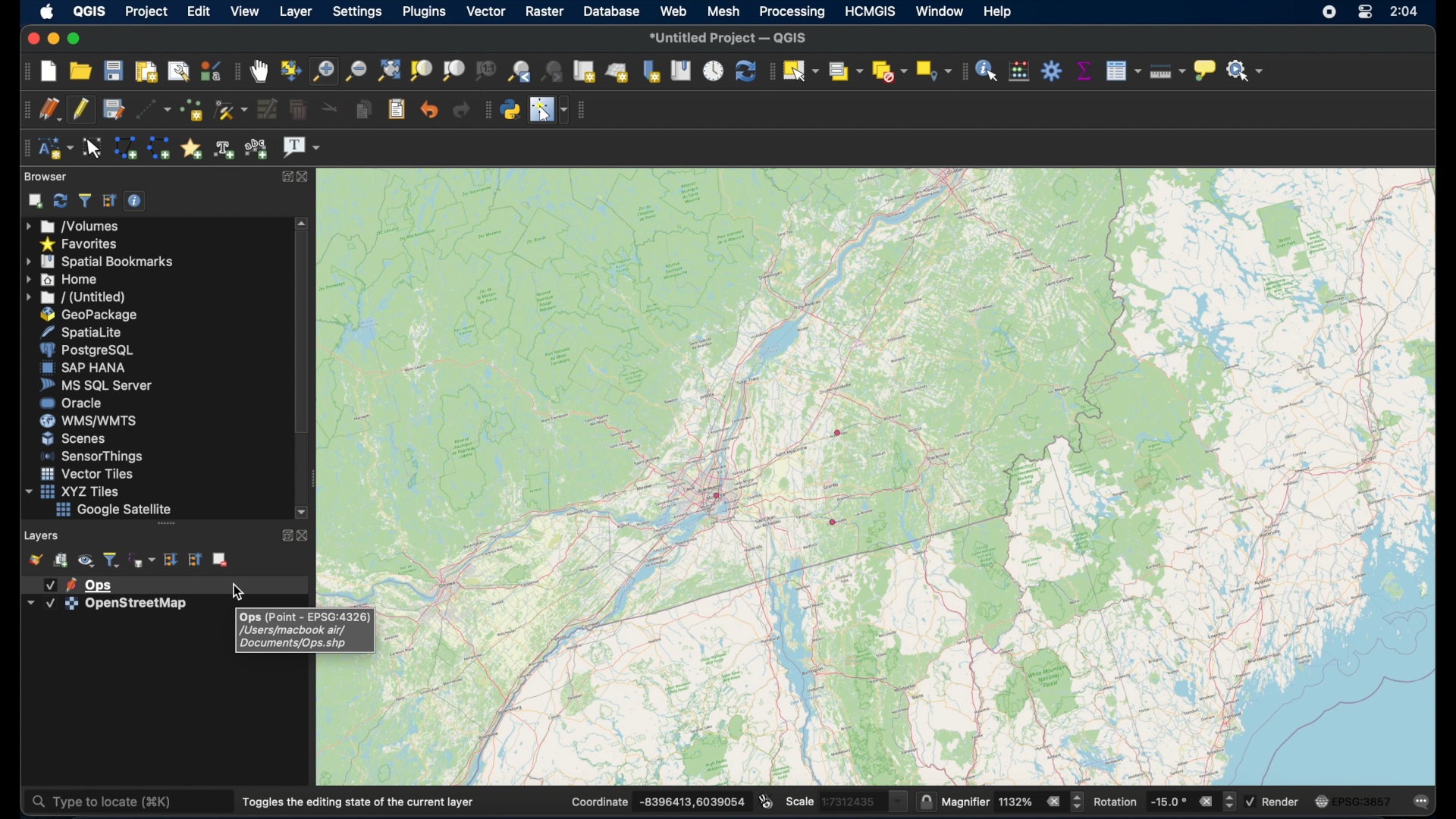 This screenshot has height=819, width=1456. I want to click on HCMGIS, so click(868, 12).